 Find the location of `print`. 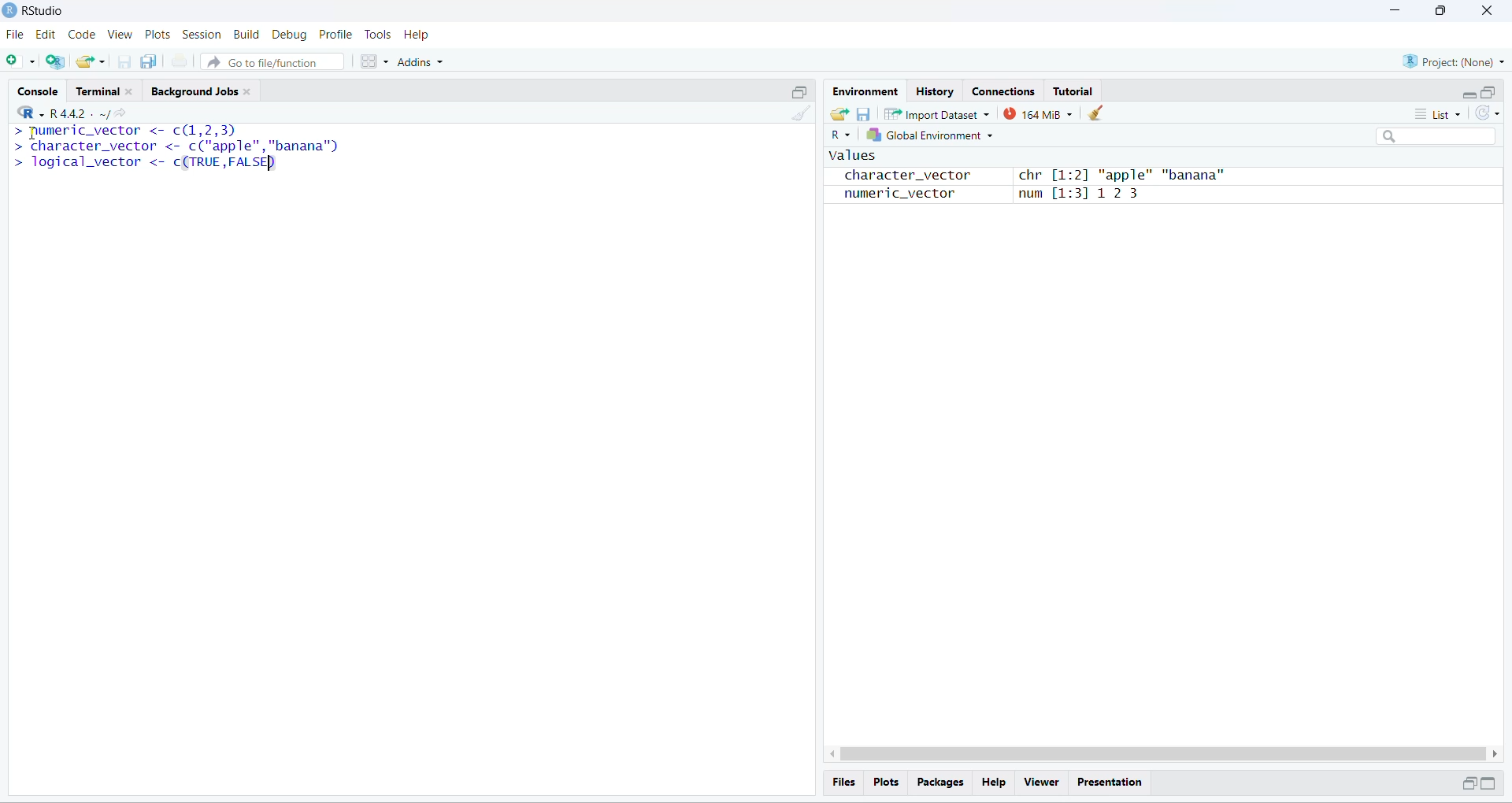

print is located at coordinates (180, 61).